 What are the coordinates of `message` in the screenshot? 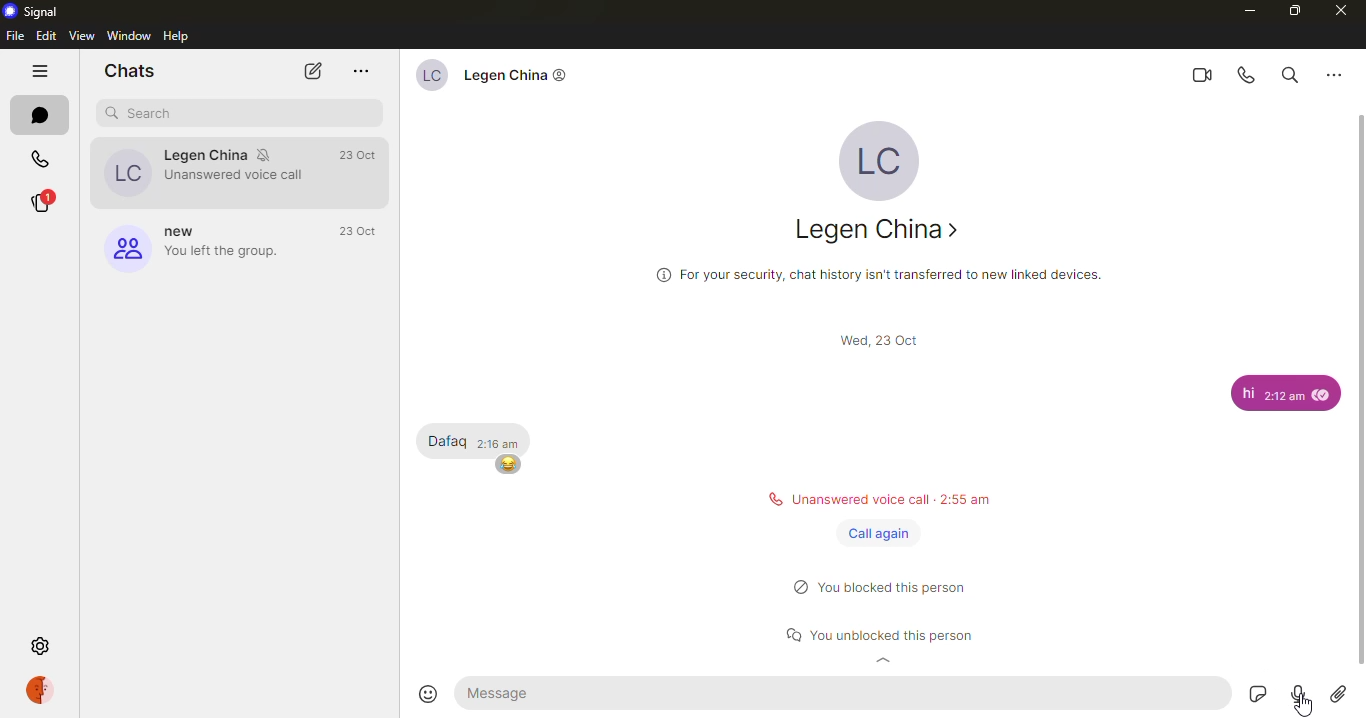 It's located at (478, 439).